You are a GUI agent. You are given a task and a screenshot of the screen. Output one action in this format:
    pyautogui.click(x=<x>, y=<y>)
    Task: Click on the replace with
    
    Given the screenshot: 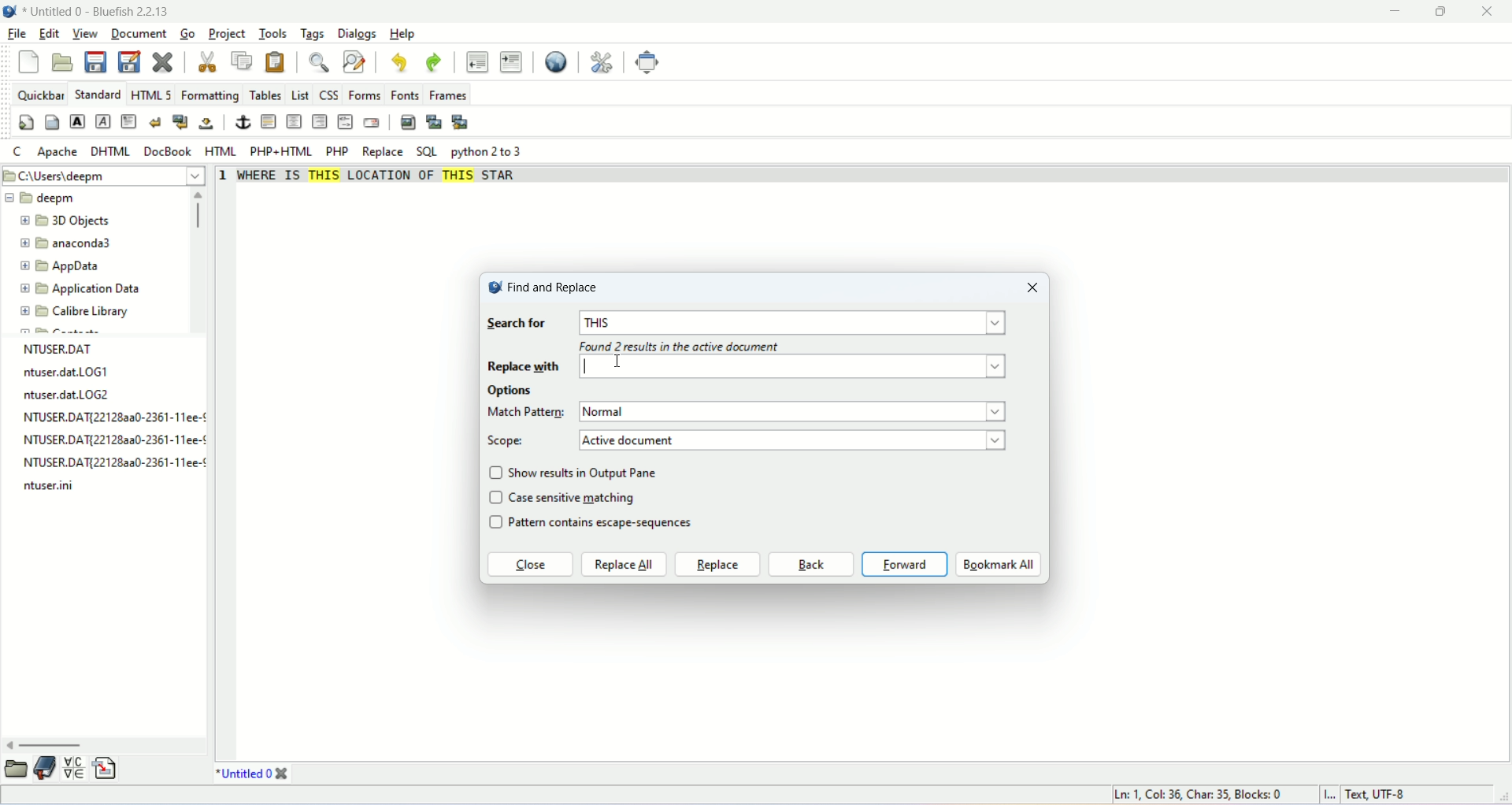 What is the action you would take?
    pyautogui.click(x=750, y=368)
    